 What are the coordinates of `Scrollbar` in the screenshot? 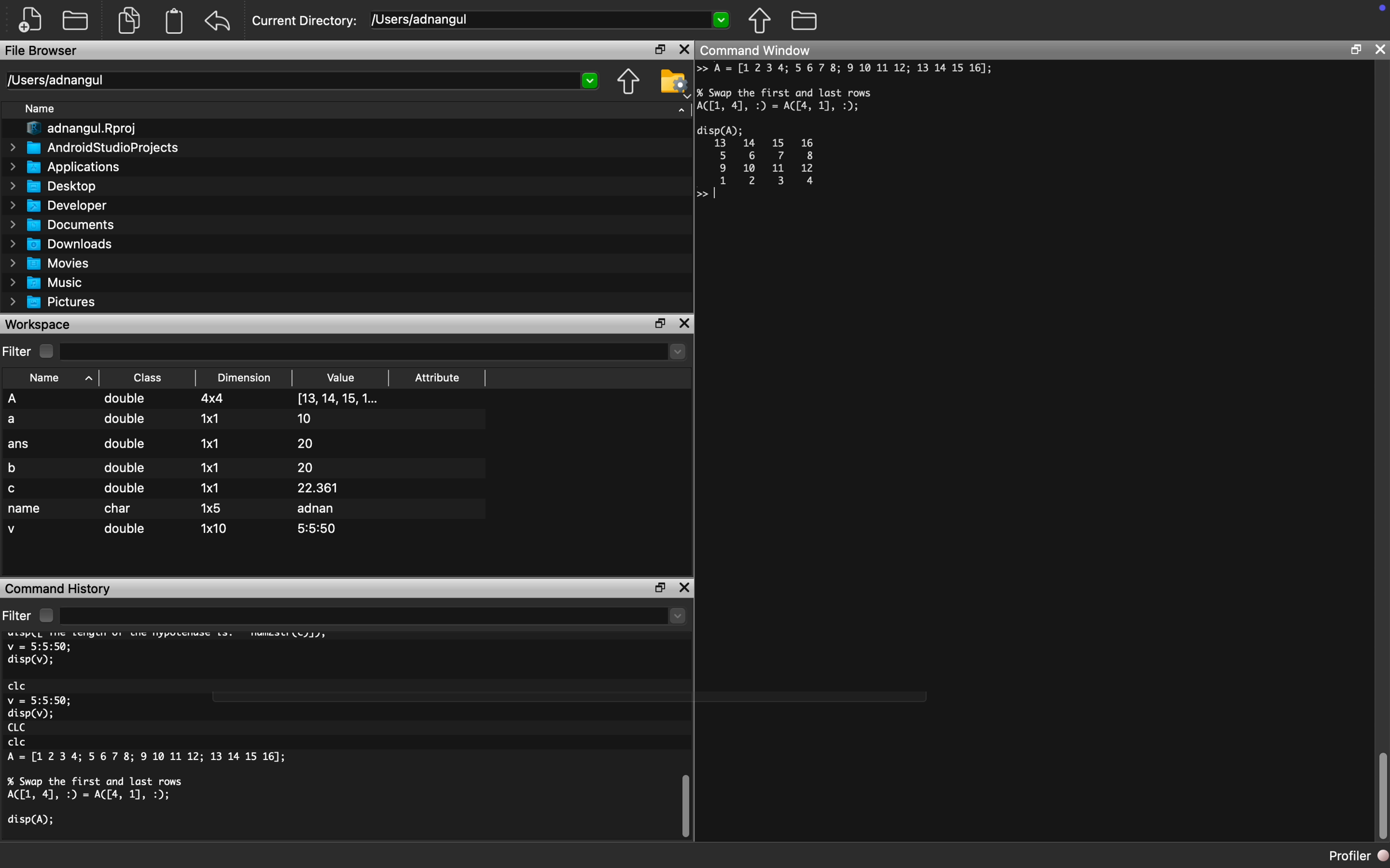 It's located at (1375, 787).